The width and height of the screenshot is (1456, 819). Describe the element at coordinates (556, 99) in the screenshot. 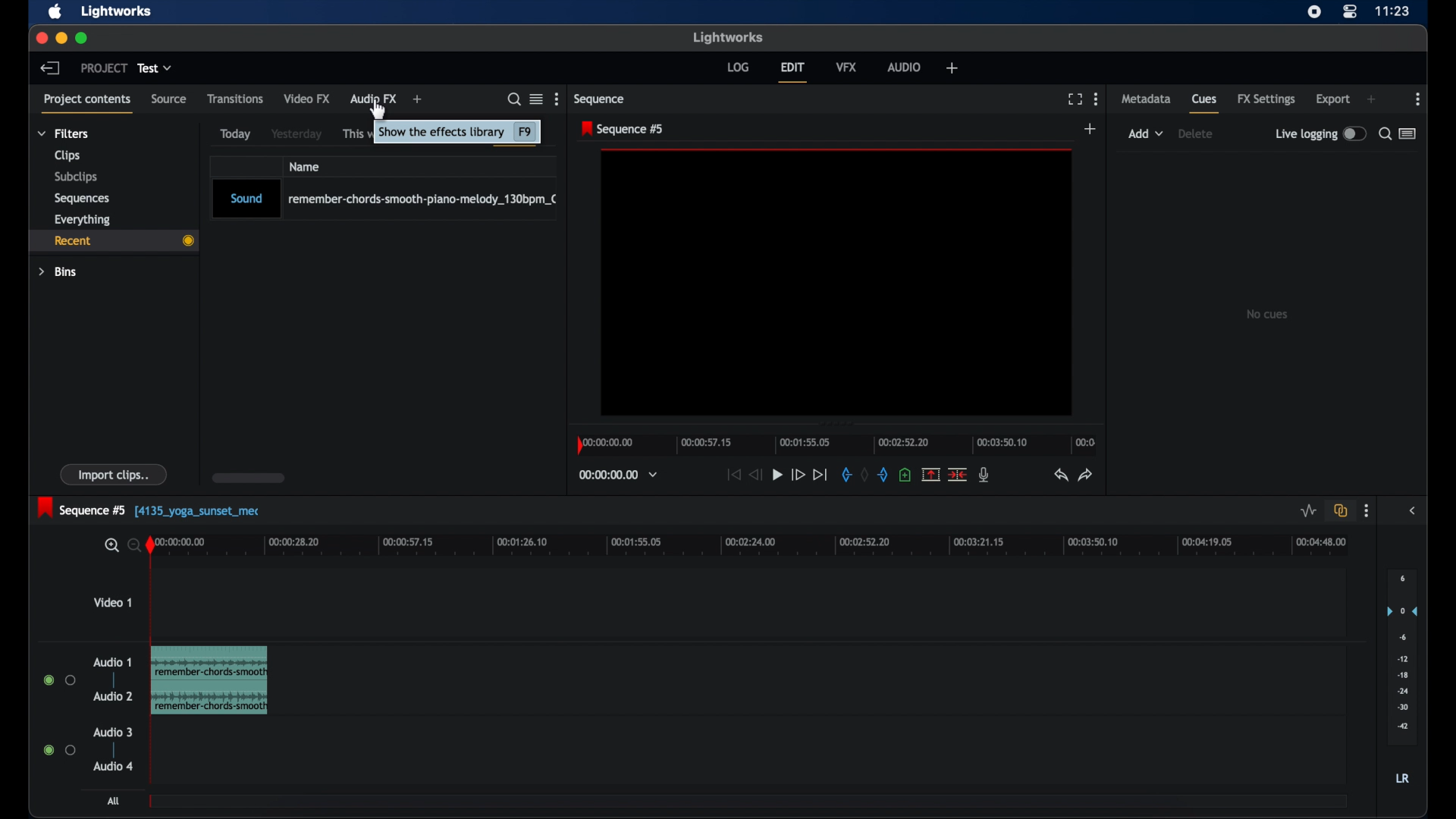

I see `more options` at that location.